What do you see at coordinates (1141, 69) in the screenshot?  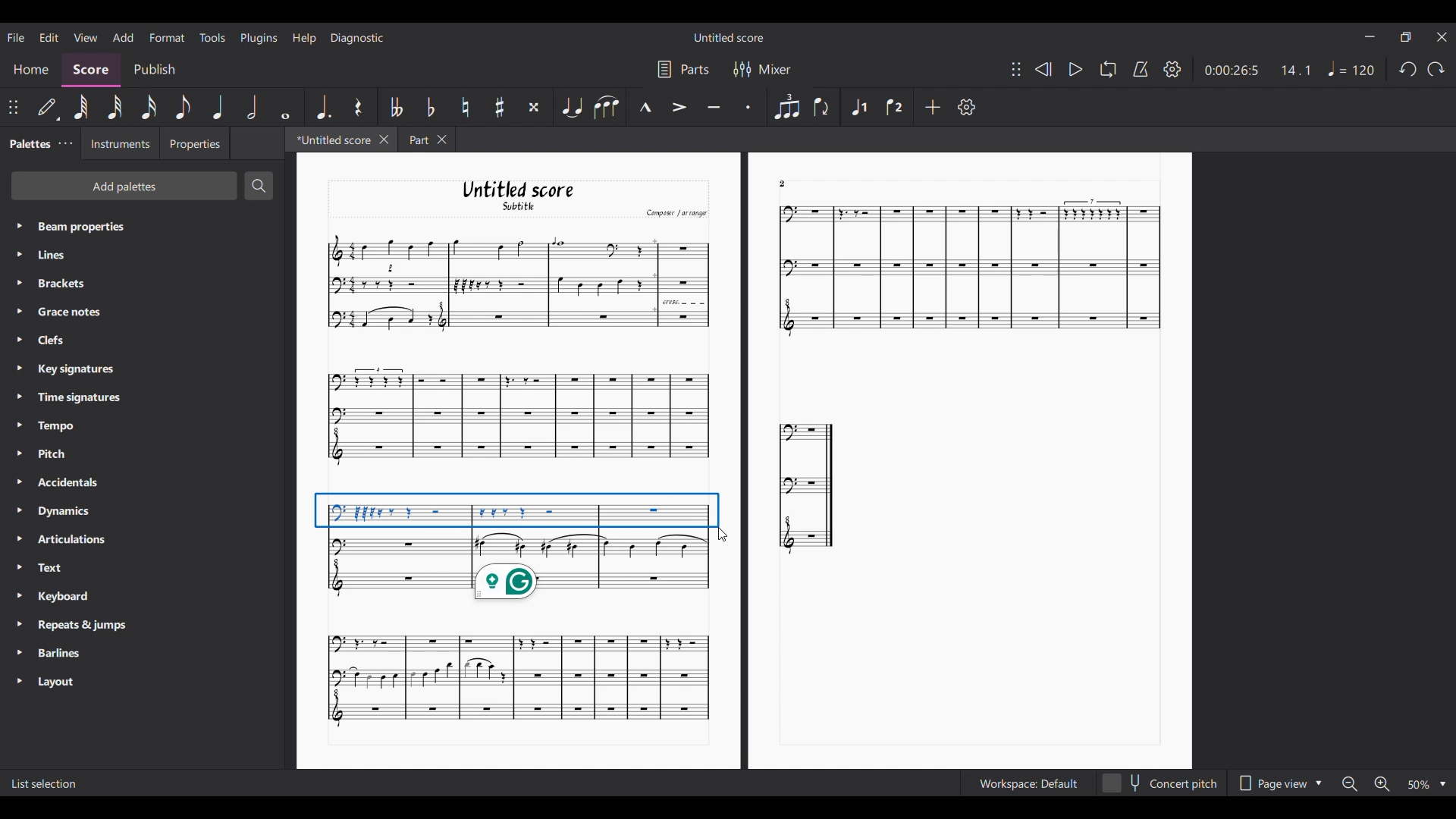 I see `Metronome` at bounding box center [1141, 69].